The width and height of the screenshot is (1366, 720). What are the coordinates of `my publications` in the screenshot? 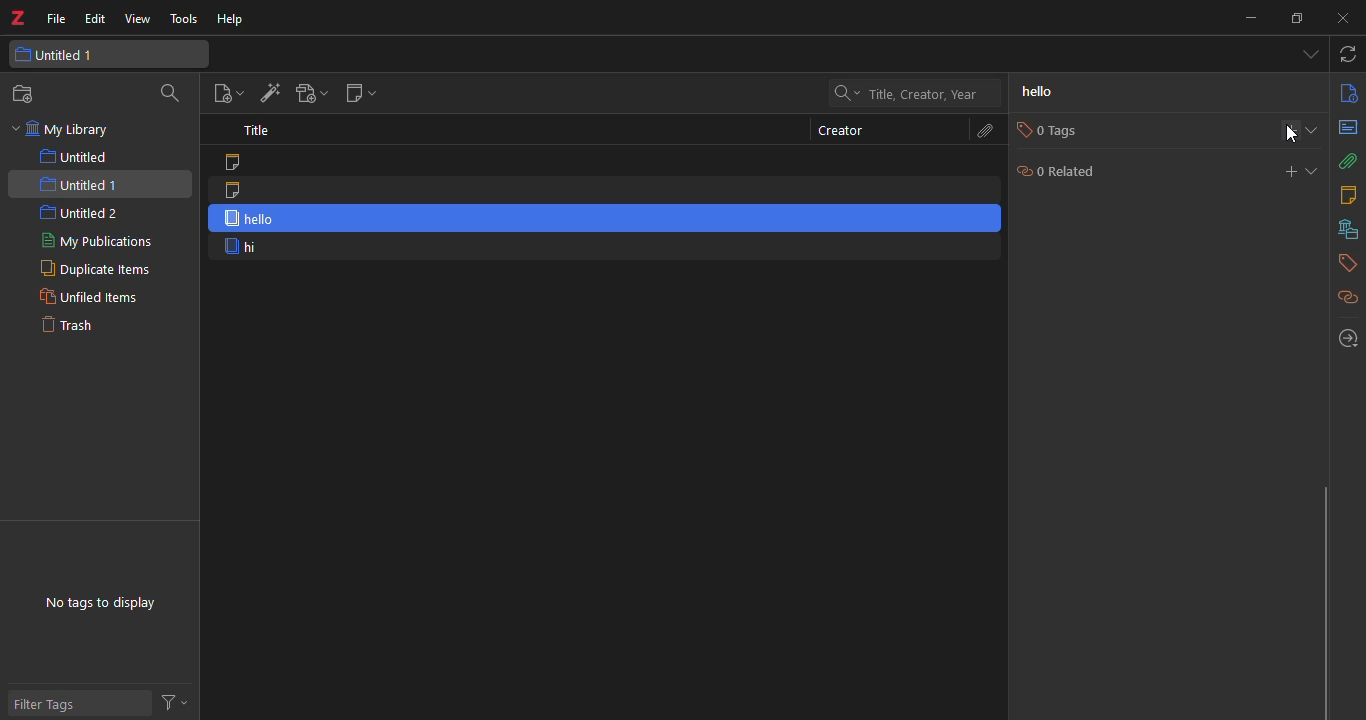 It's located at (92, 242).